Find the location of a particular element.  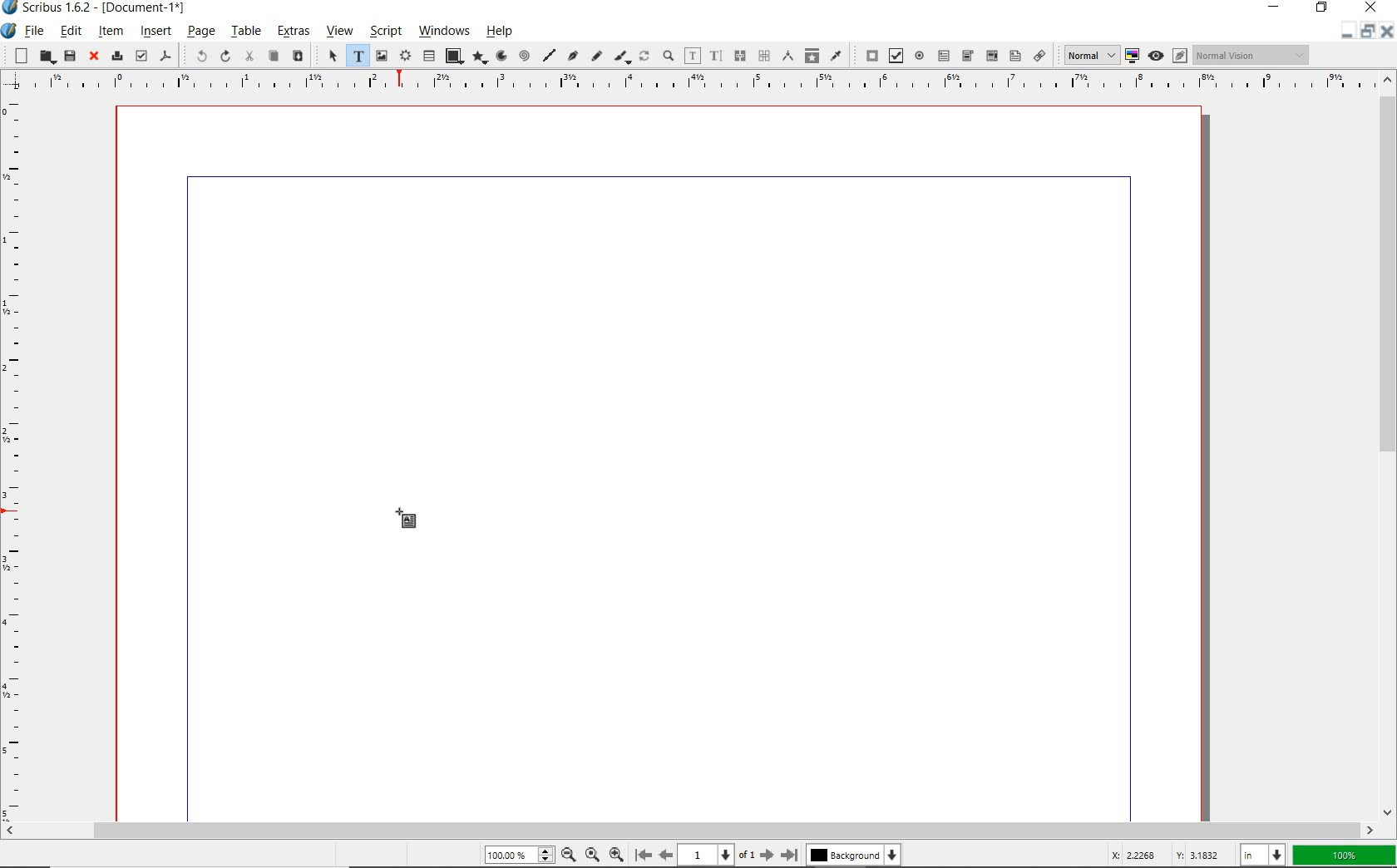

file is located at coordinates (35, 32).